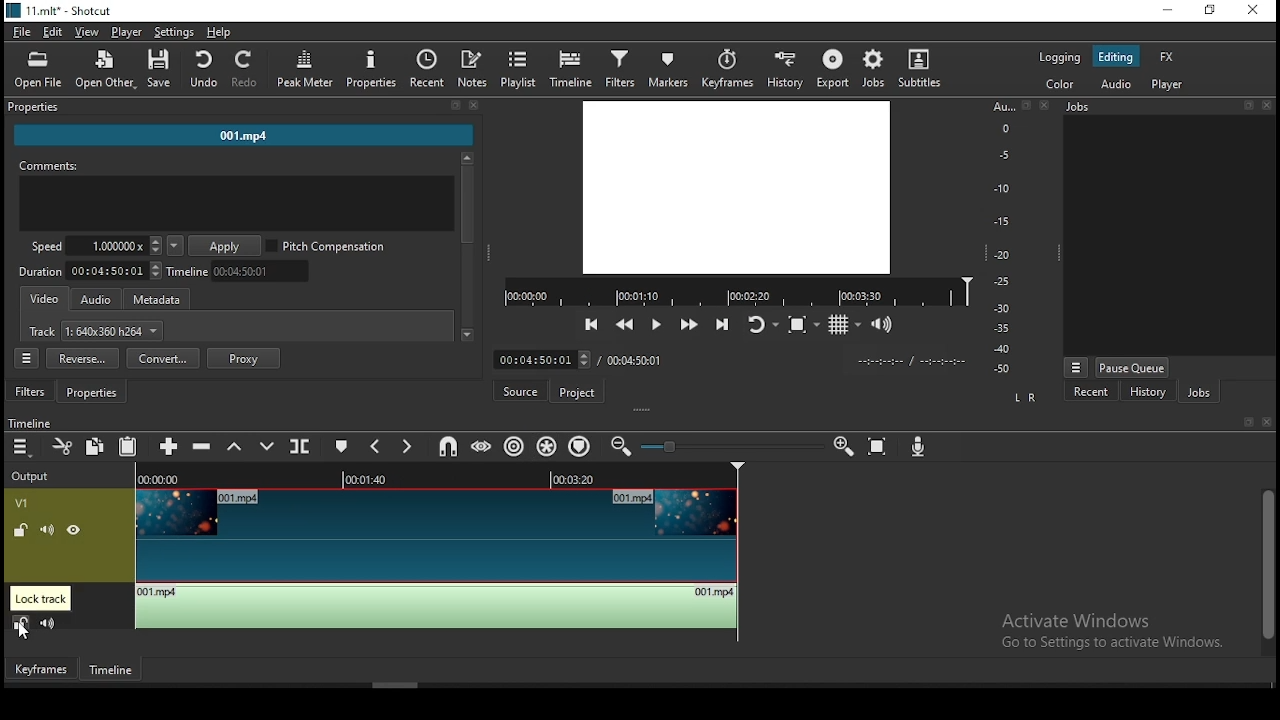 The width and height of the screenshot is (1280, 720). I want to click on timeline, so click(735, 290).